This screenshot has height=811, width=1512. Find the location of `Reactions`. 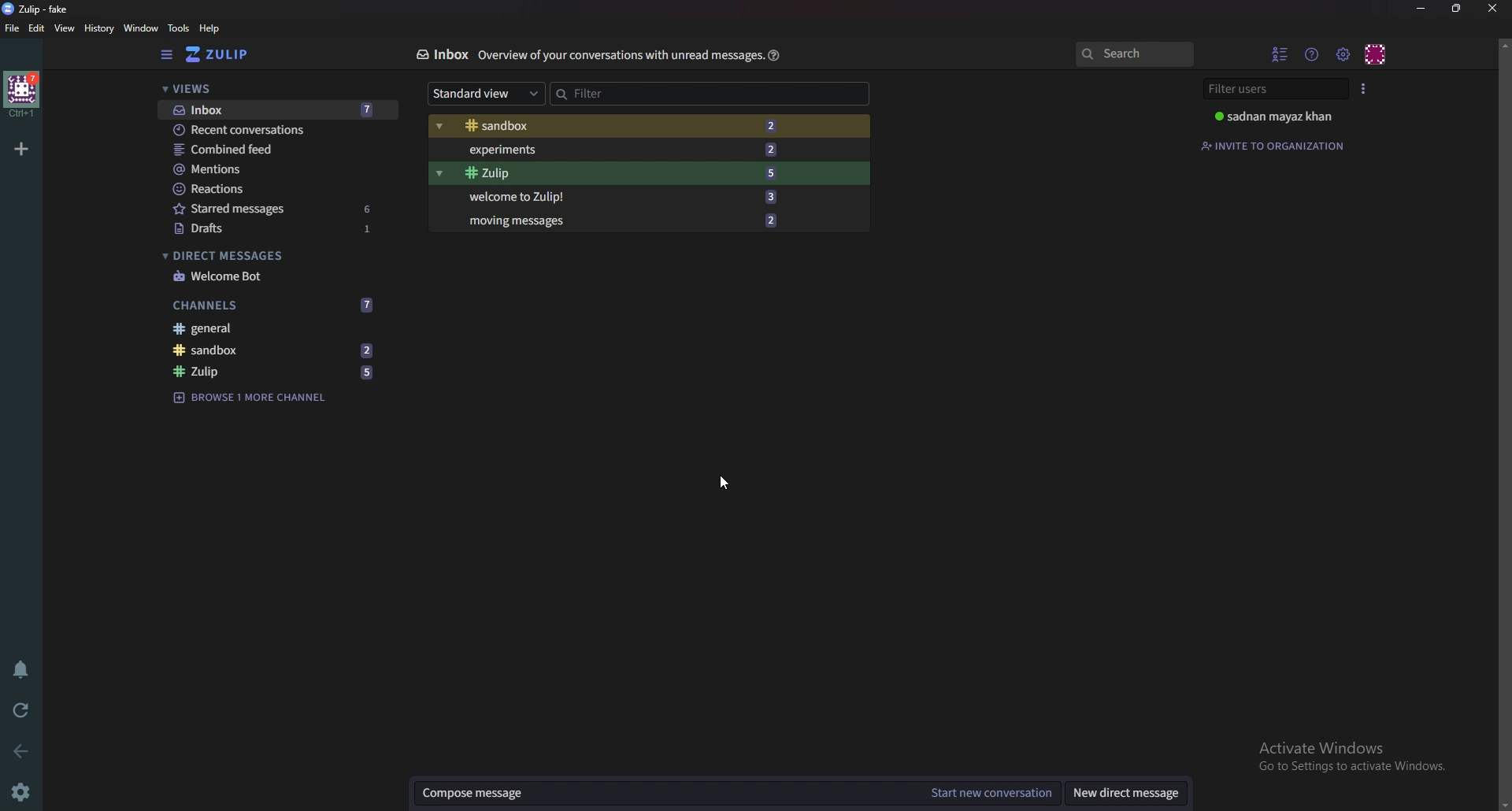

Reactions is located at coordinates (280, 188).